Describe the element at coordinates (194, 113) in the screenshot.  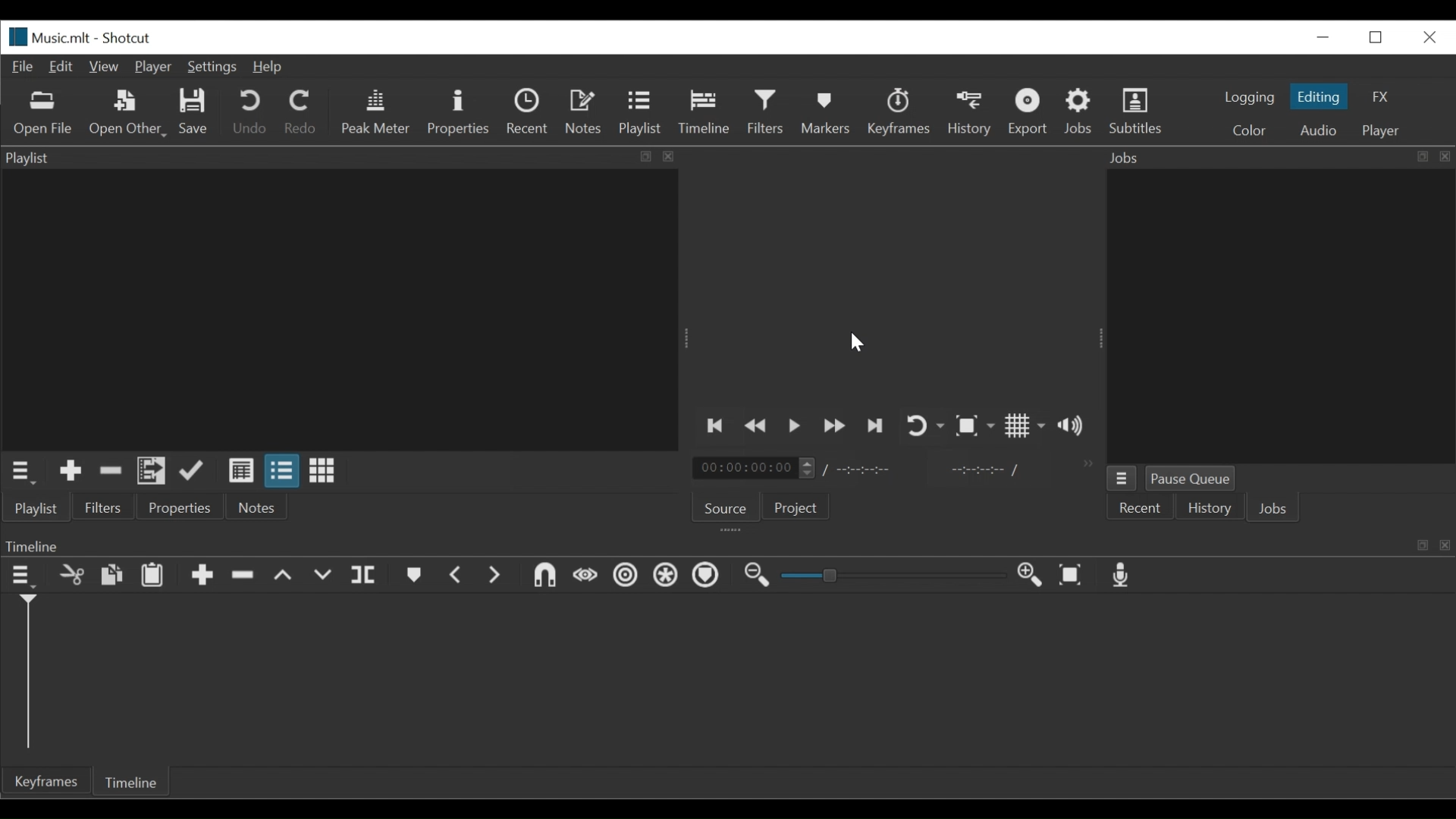
I see `Save` at that location.